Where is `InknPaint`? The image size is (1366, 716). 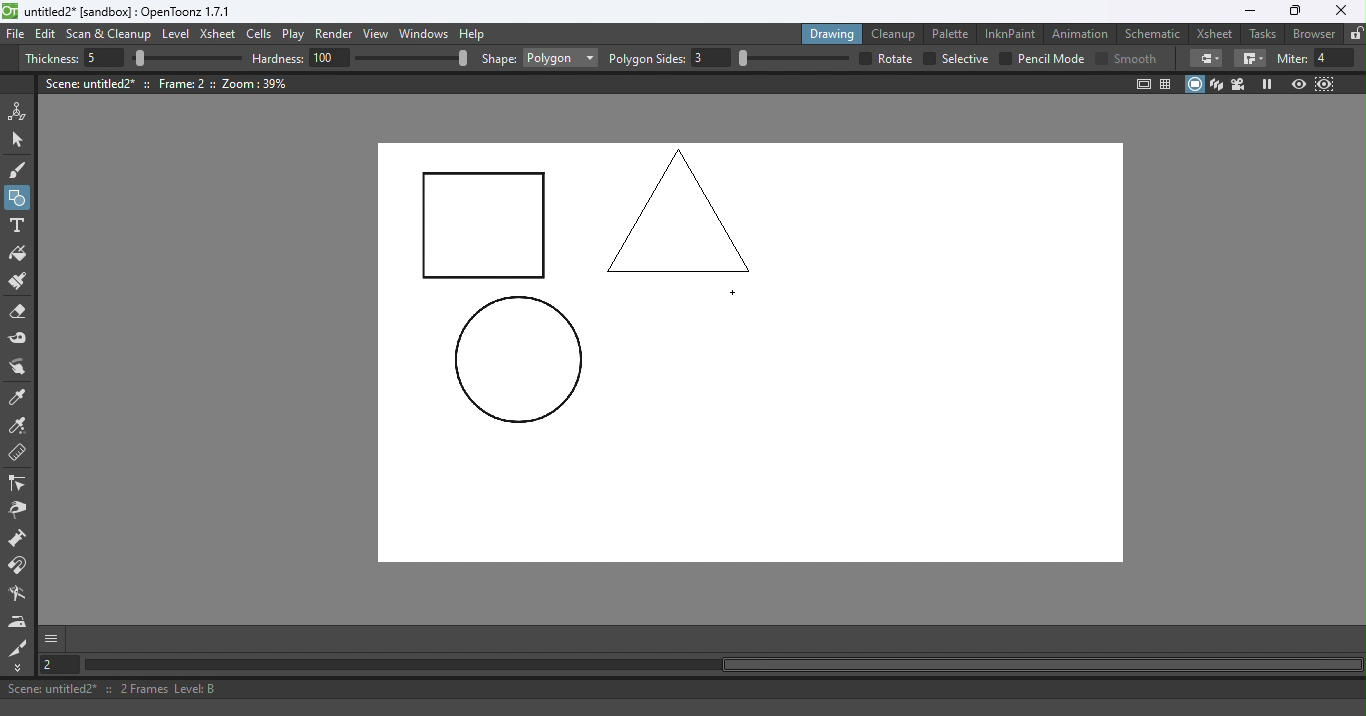
InknPaint is located at coordinates (1011, 32).